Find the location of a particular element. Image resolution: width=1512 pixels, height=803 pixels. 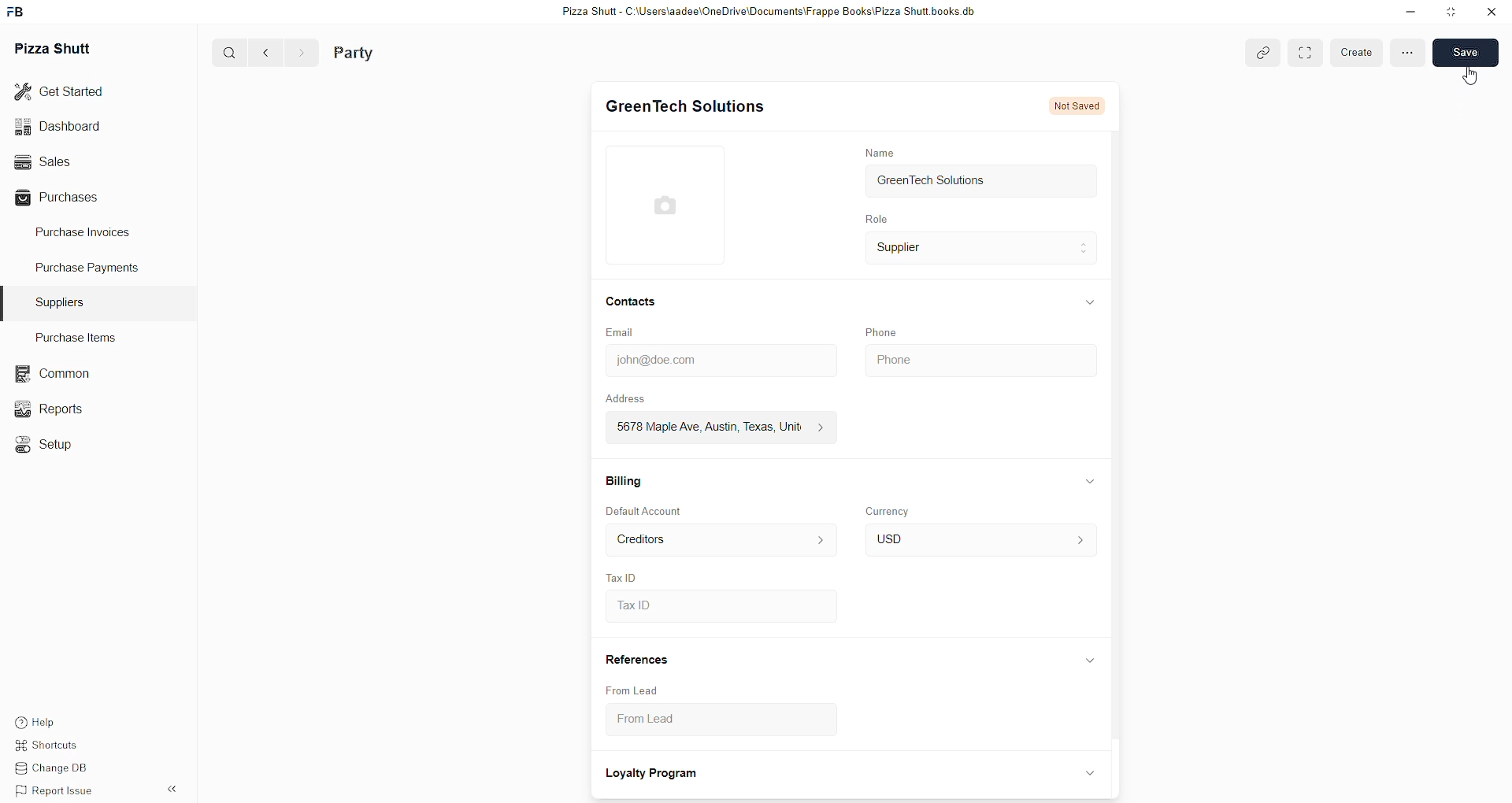

From Lead is located at coordinates (705, 723).